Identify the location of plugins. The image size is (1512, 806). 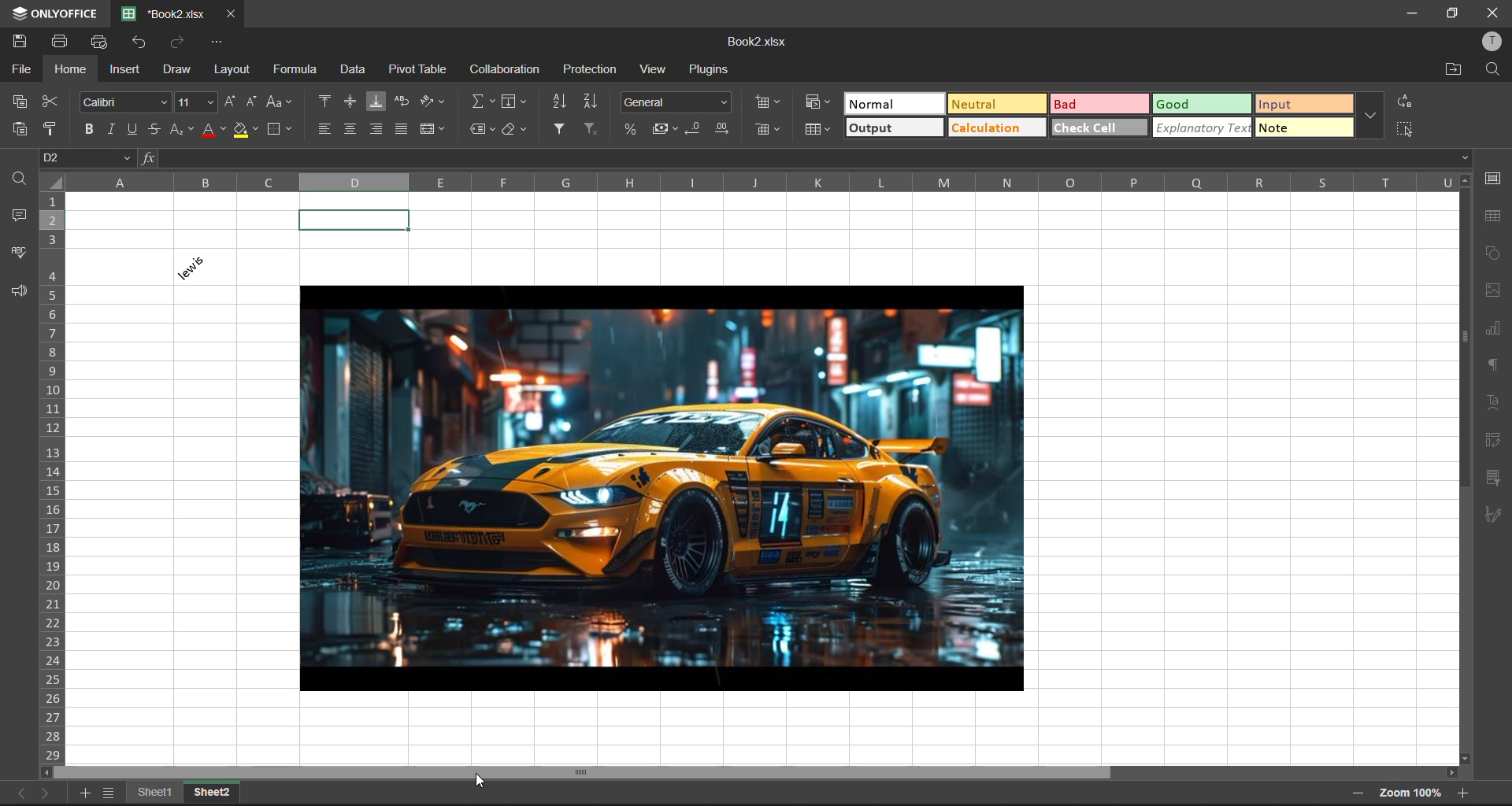
(711, 70).